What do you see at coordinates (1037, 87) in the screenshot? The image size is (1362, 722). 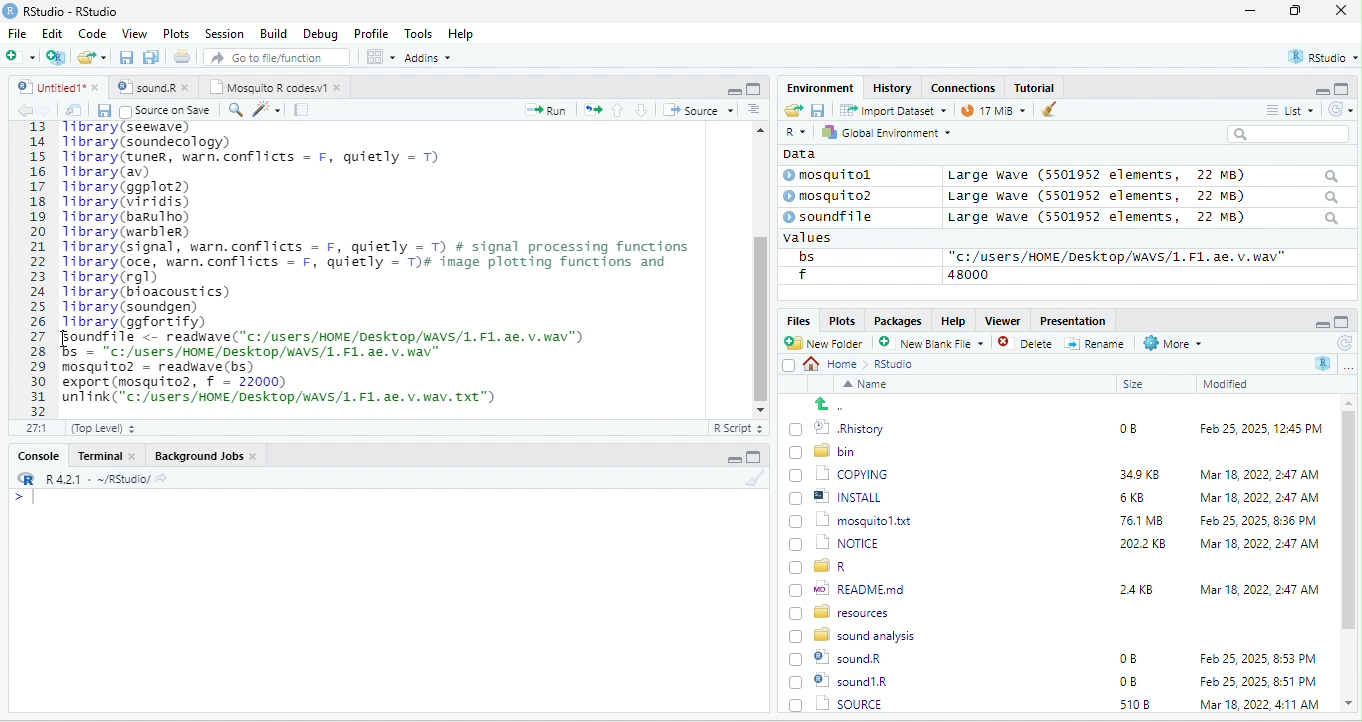 I see `Tutorial` at bounding box center [1037, 87].